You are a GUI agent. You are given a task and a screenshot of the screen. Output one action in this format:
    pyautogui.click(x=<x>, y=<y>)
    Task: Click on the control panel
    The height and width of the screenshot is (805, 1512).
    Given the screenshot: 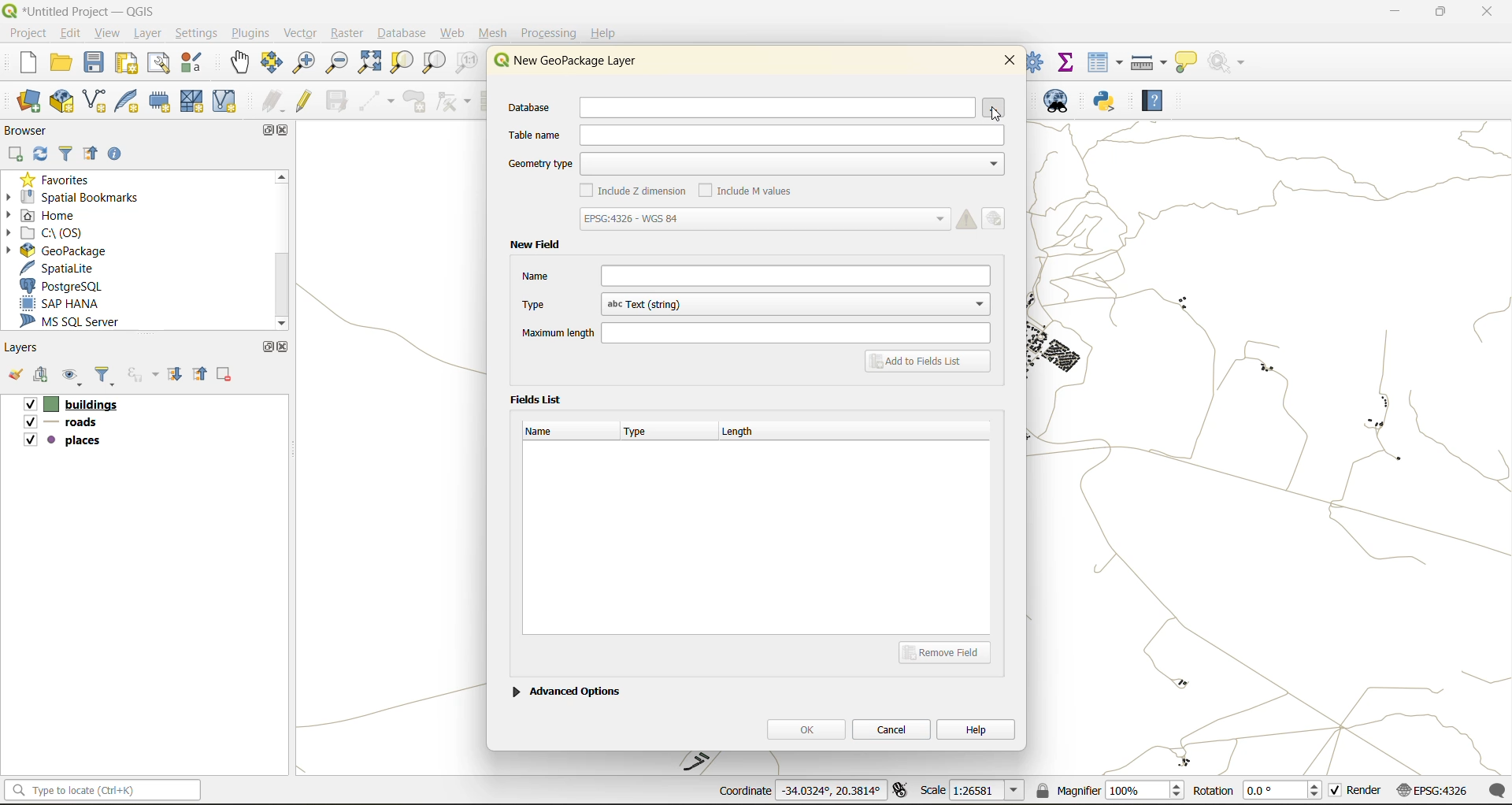 What is the action you would take?
    pyautogui.click(x=1036, y=63)
    